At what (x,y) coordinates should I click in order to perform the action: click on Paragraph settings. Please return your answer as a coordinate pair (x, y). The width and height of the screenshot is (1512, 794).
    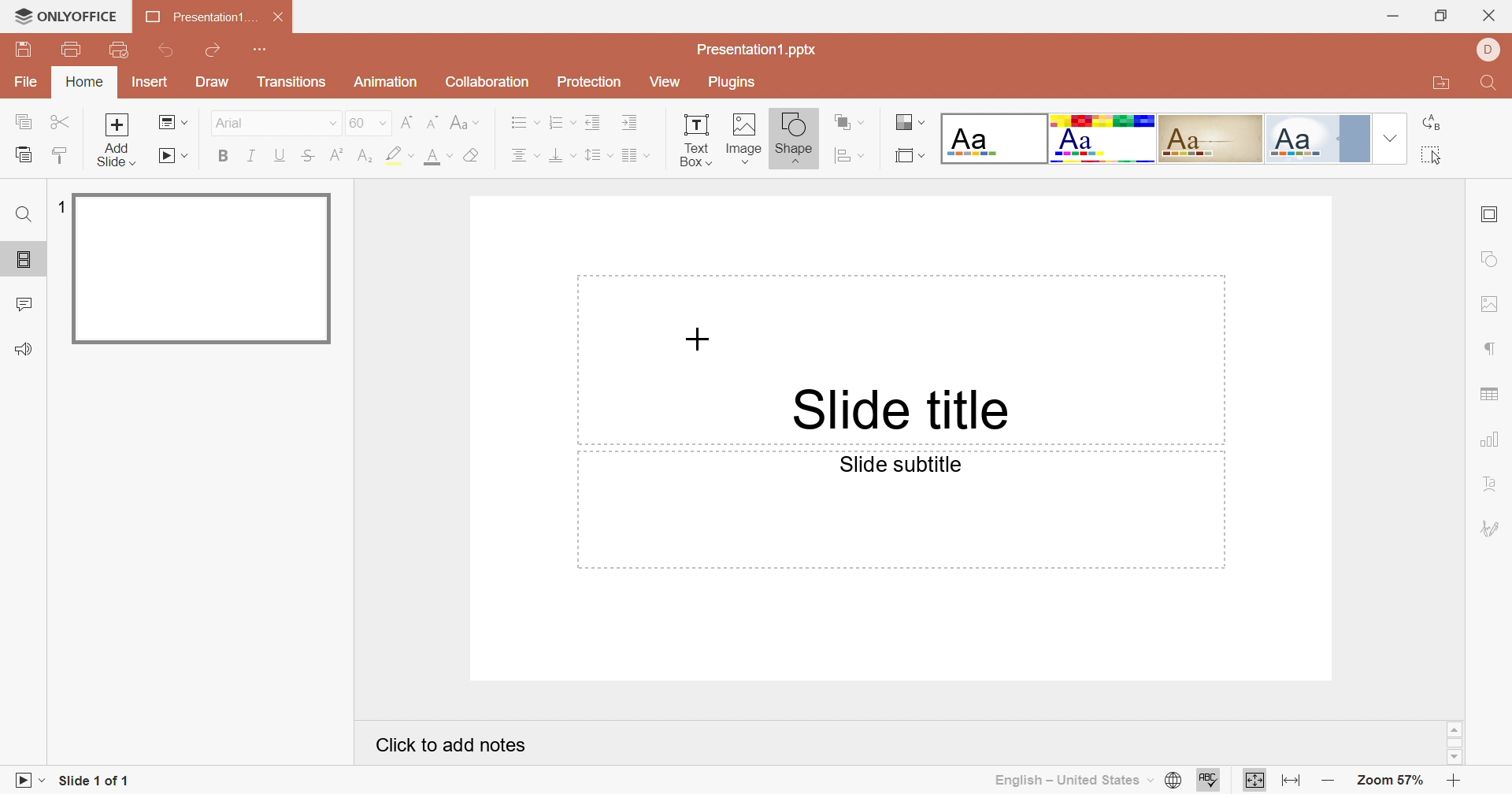
    Looking at the image, I should click on (1491, 350).